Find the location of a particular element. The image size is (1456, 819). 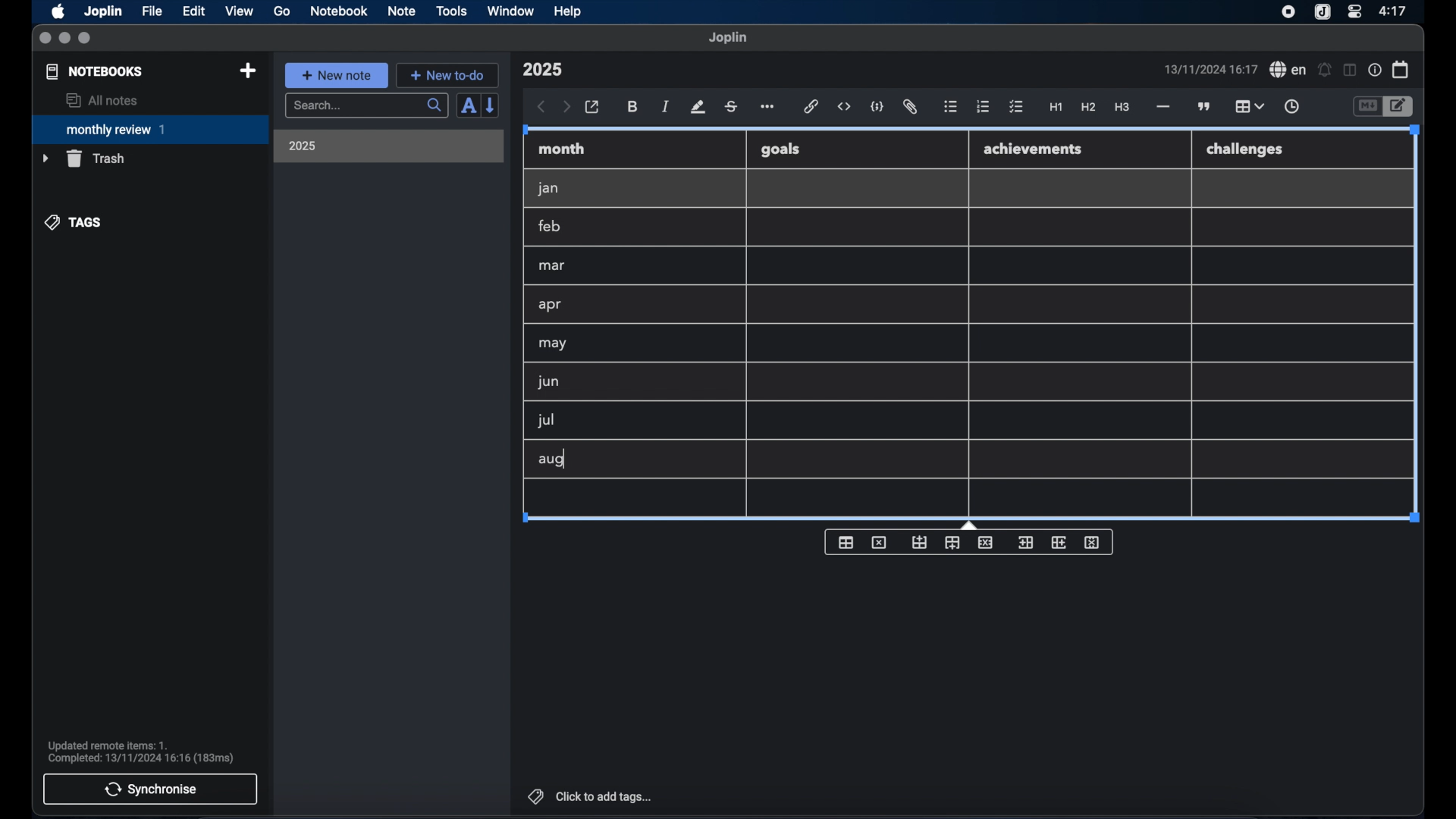

sort order field is located at coordinates (468, 106).